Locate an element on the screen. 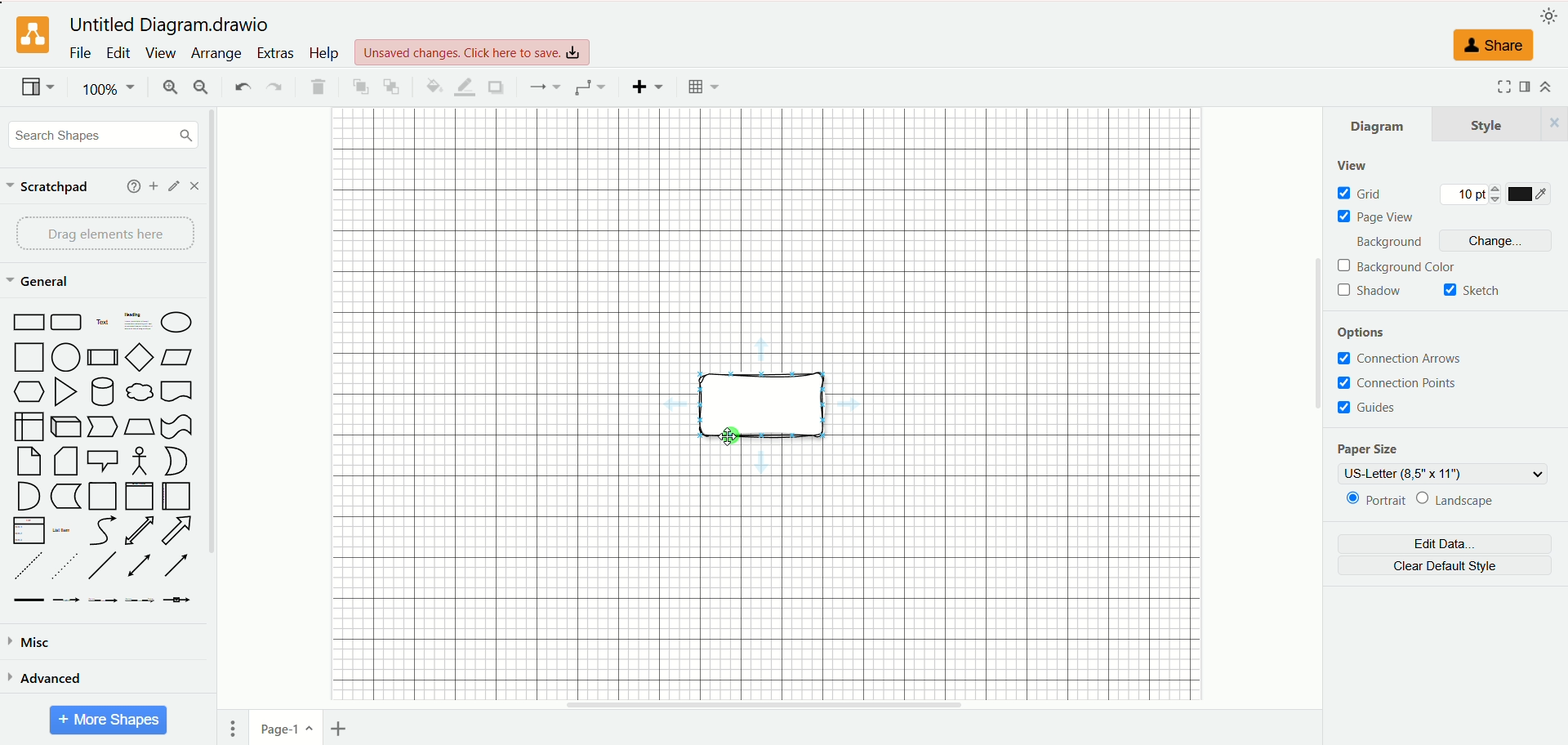  collapse/expand is located at coordinates (1545, 87).